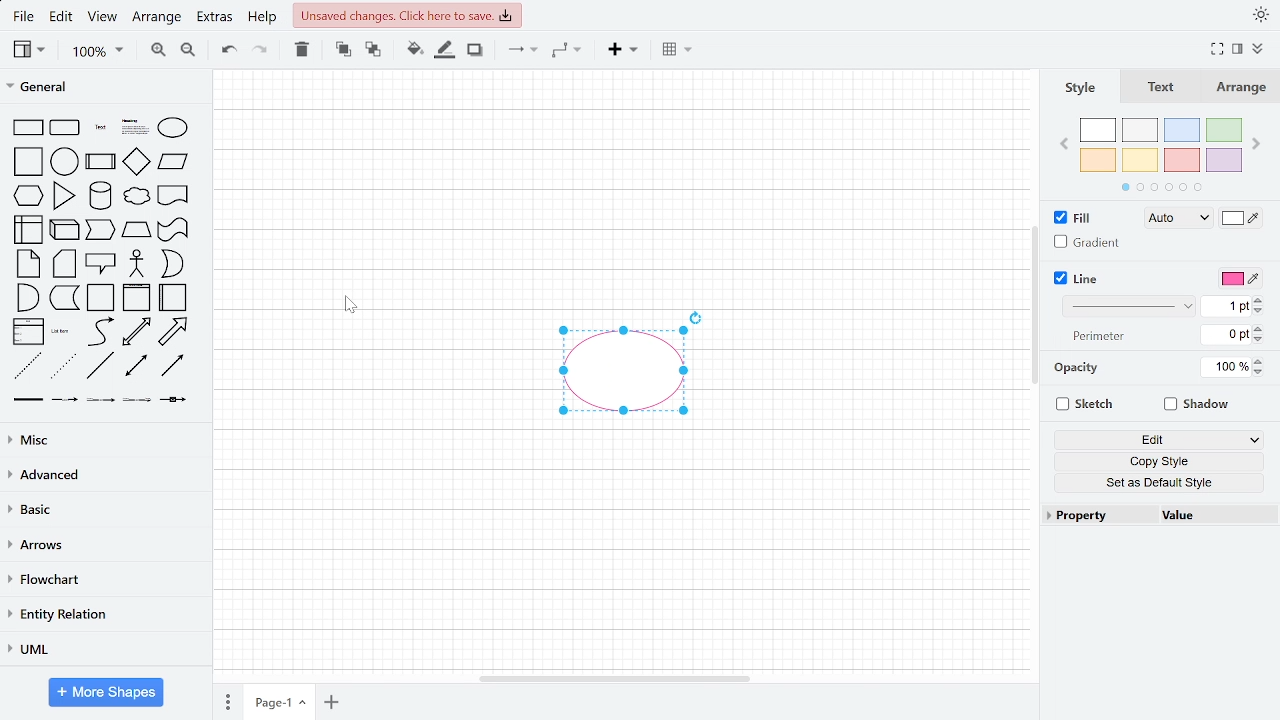  I want to click on cylinder, so click(101, 196).